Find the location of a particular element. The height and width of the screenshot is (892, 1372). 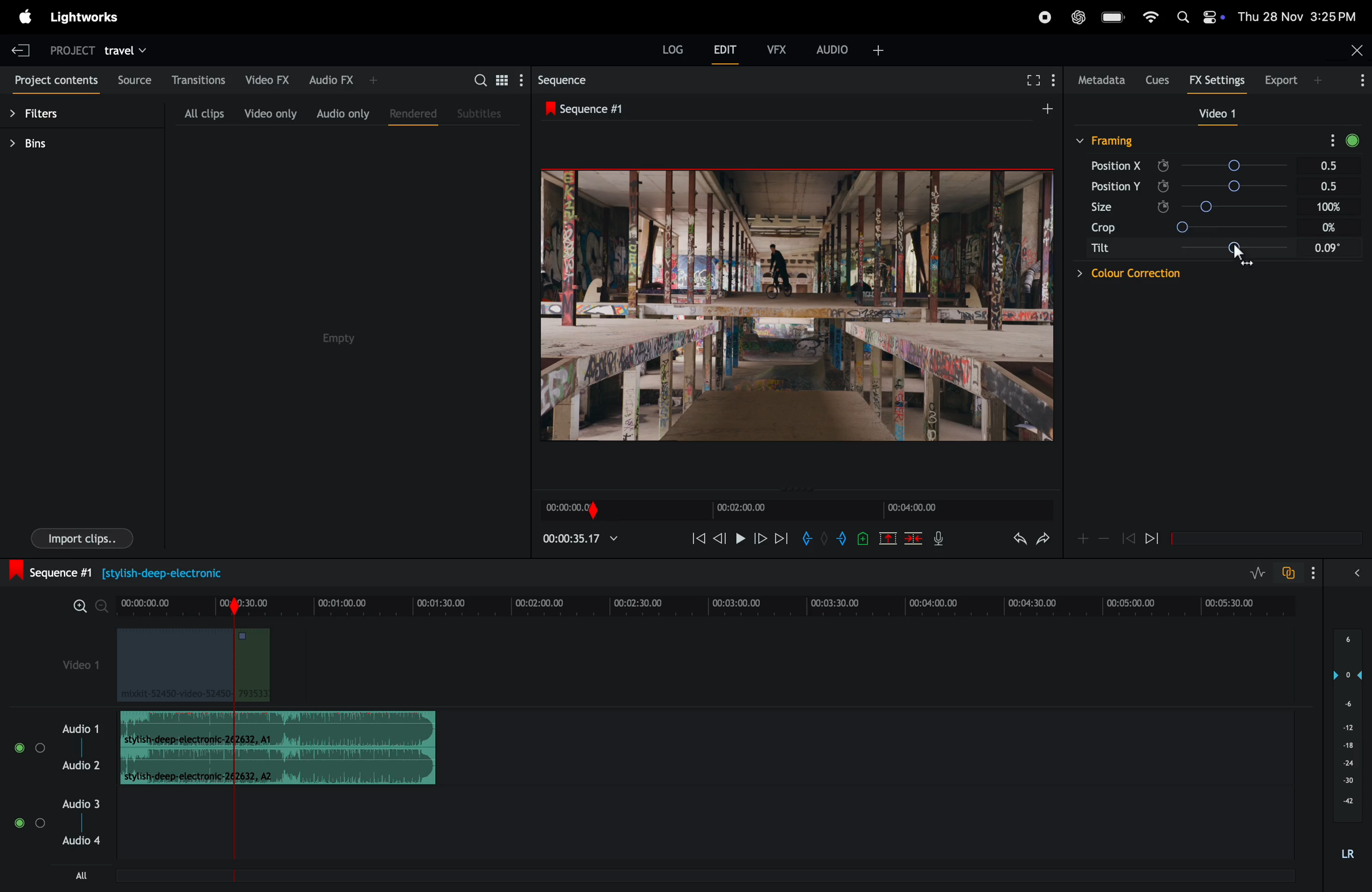

log is located at coordinates (673, 48).